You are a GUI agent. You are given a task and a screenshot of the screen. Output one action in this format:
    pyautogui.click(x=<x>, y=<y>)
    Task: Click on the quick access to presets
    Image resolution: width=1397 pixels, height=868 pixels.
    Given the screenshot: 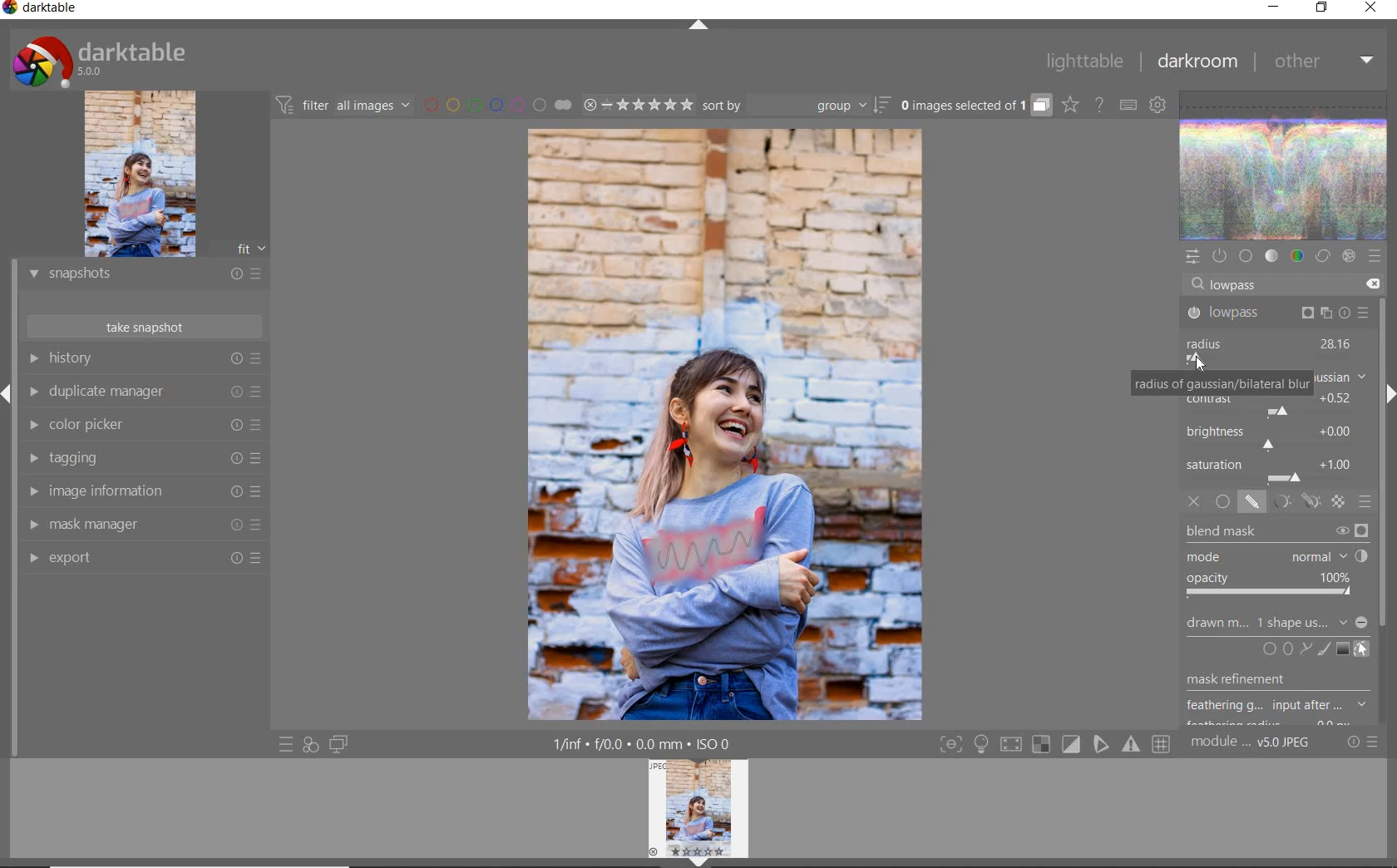 What is the action you would take?
    pyautogui.click(x=288, y=743)
    